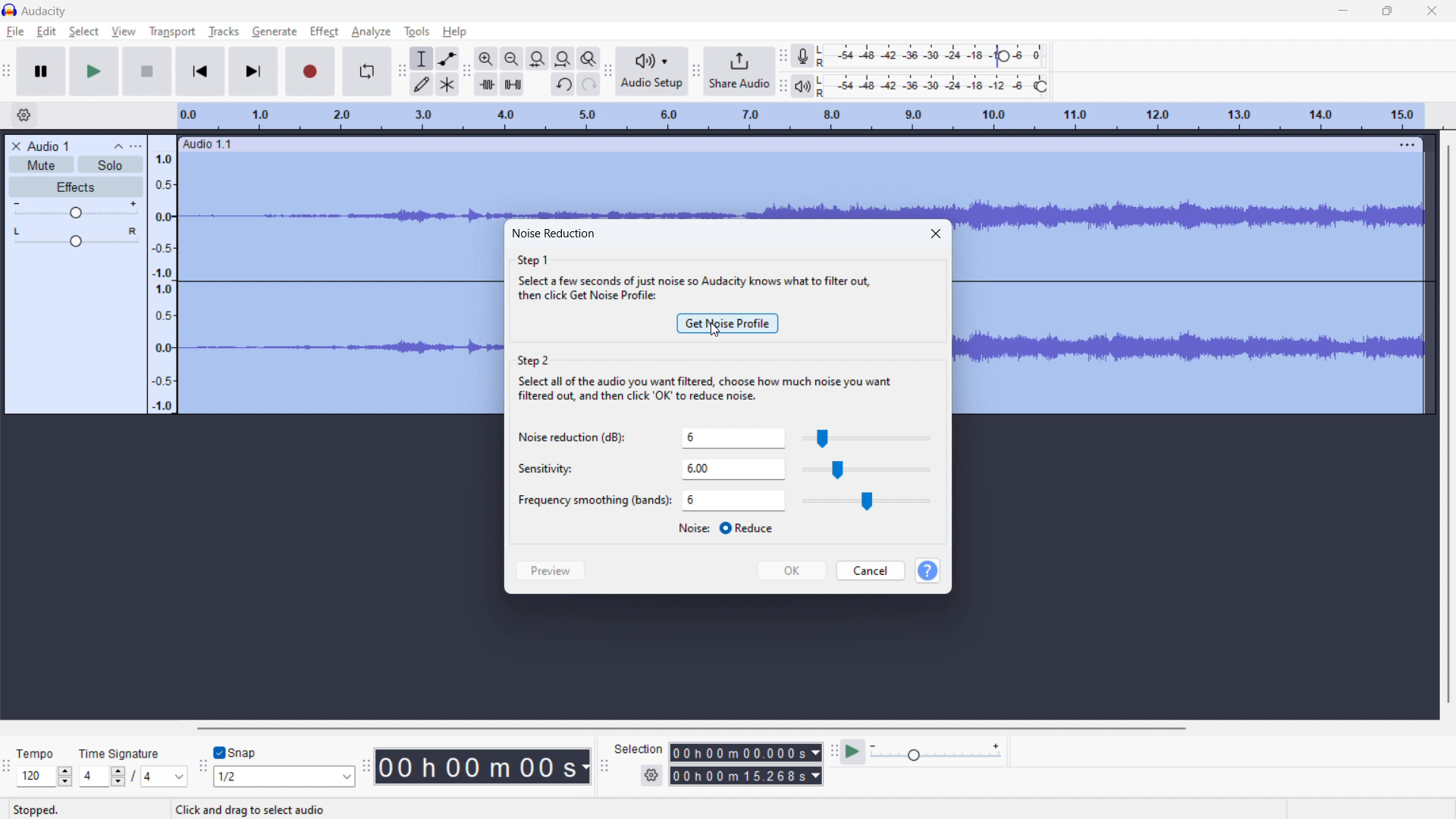  What do you see at coordinates (714, 331) in the screenshot?
I see `Cursor on get Noise profile` at bounding box center [714, 331].